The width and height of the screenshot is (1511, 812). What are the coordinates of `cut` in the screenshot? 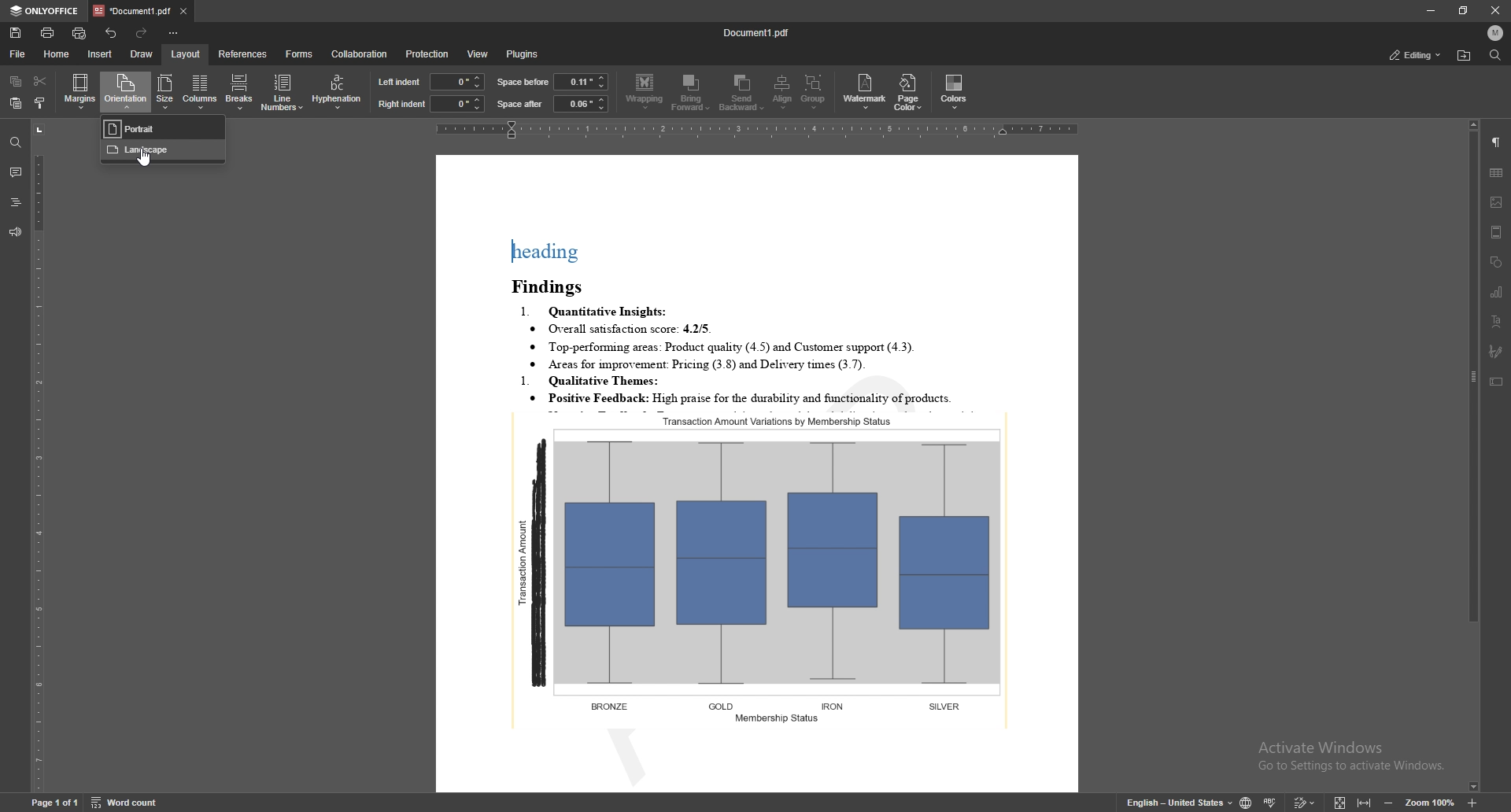 It's located at (42, 80).